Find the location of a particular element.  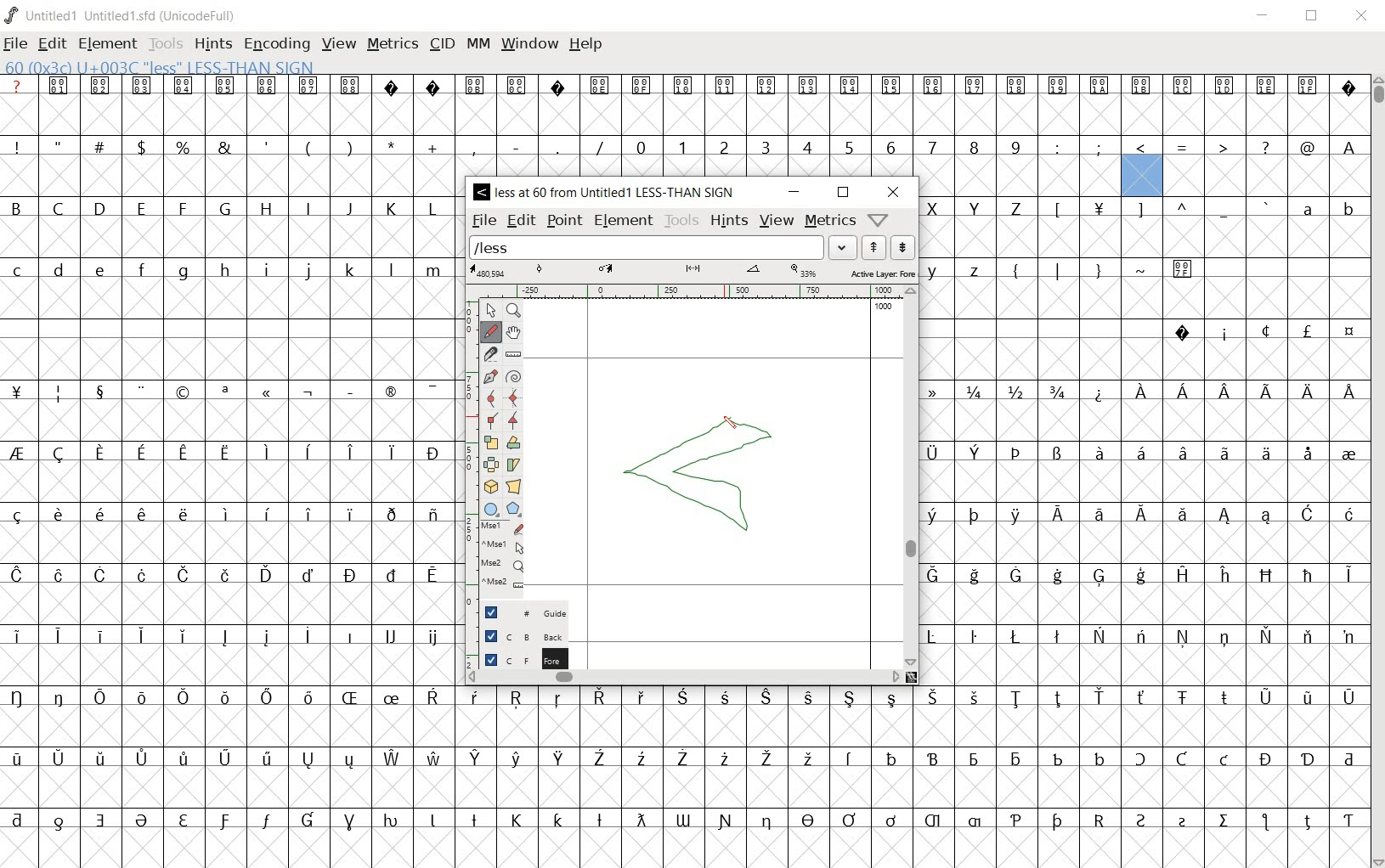

1000 is located at coordinates (885, 307).